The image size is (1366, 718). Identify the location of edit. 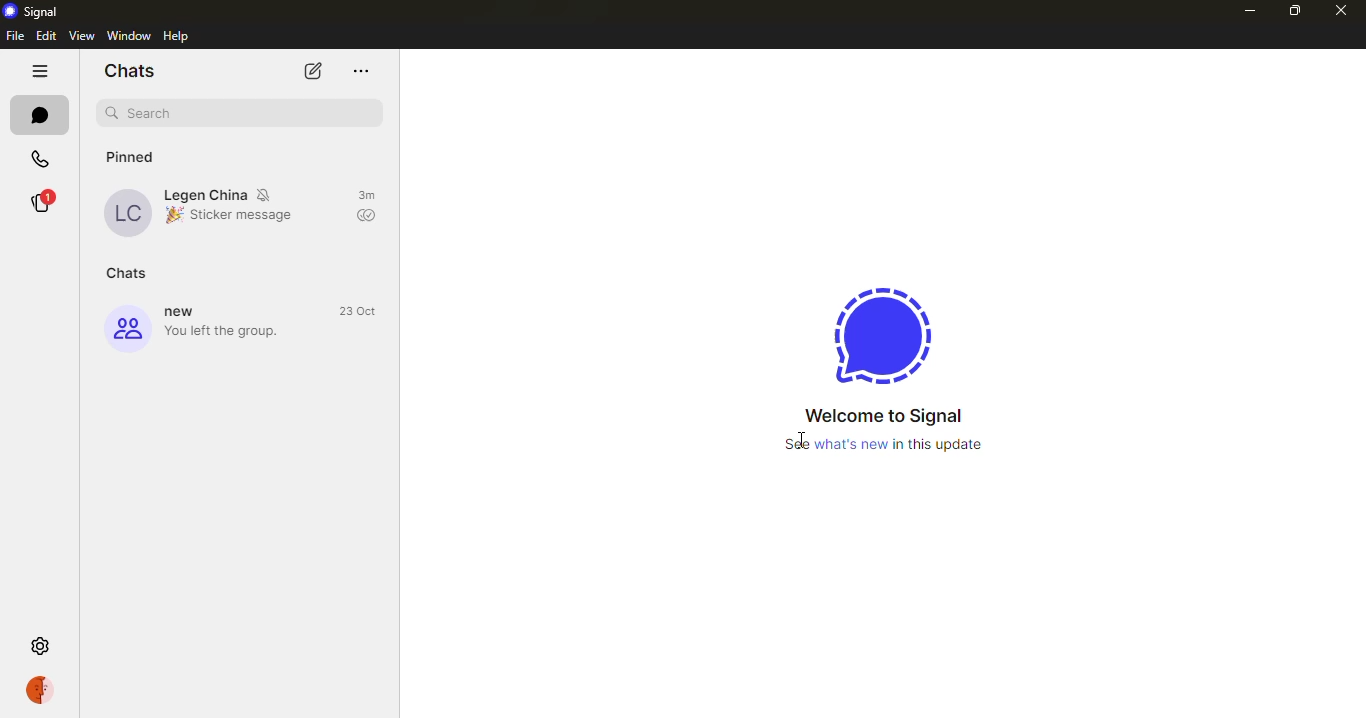
(47, 35).